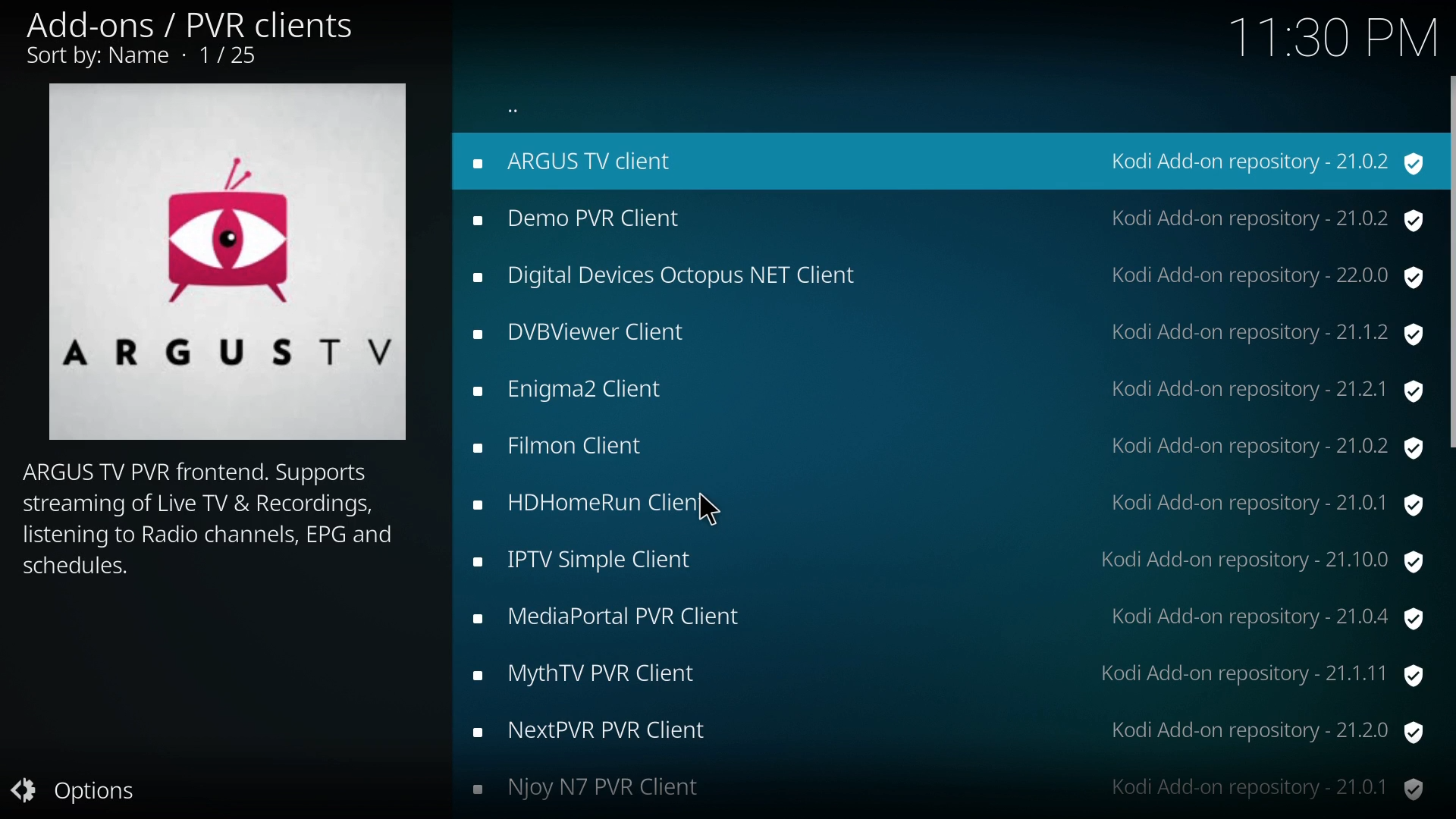 The image size is (1456, 819). I want to click on NextPVR PVR Client Kodi Add-on repository - 21.2.0, so click(950, 733).